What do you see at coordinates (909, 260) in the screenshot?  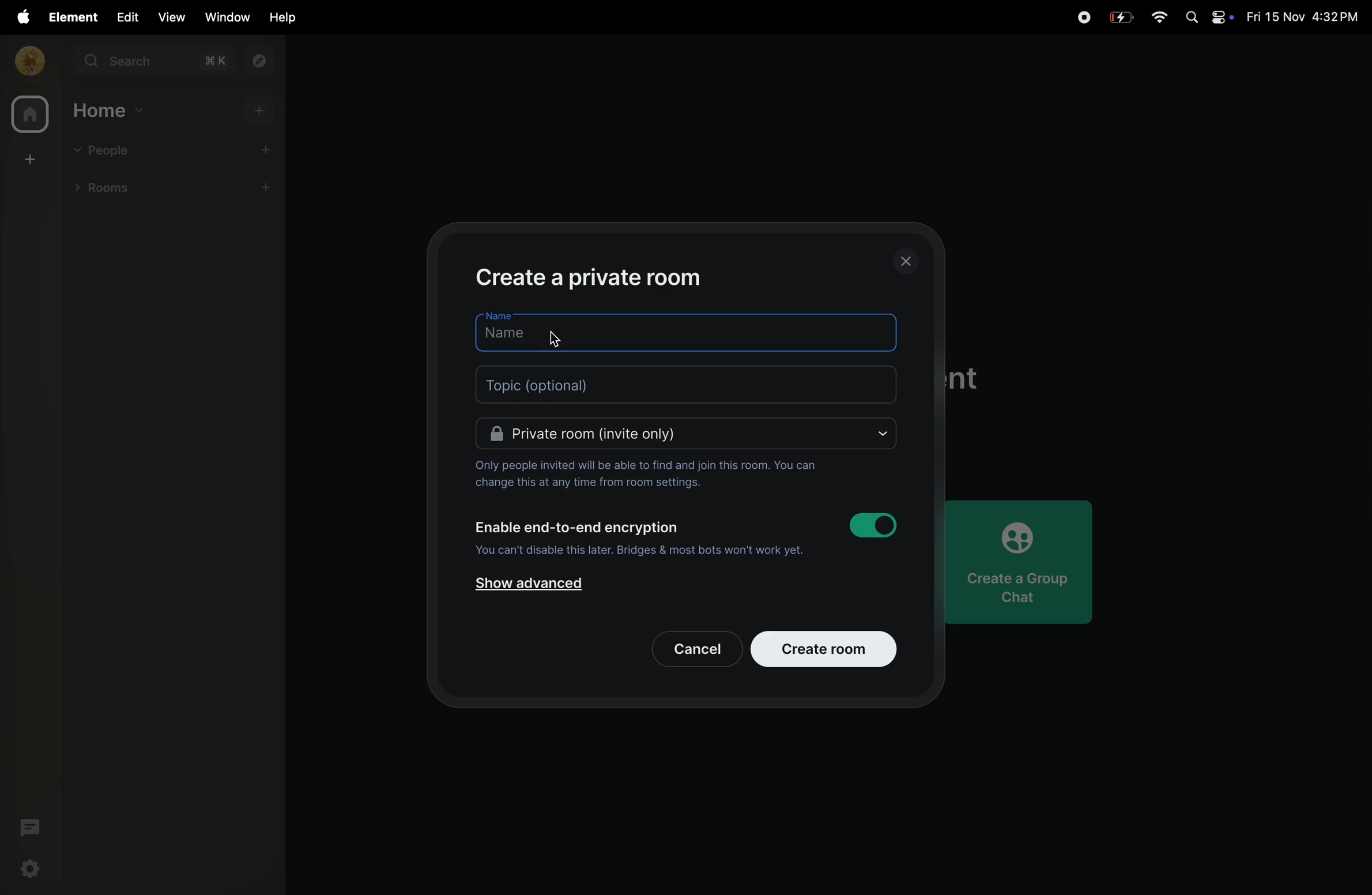 I see `closing` at bounding box center [909, 260].